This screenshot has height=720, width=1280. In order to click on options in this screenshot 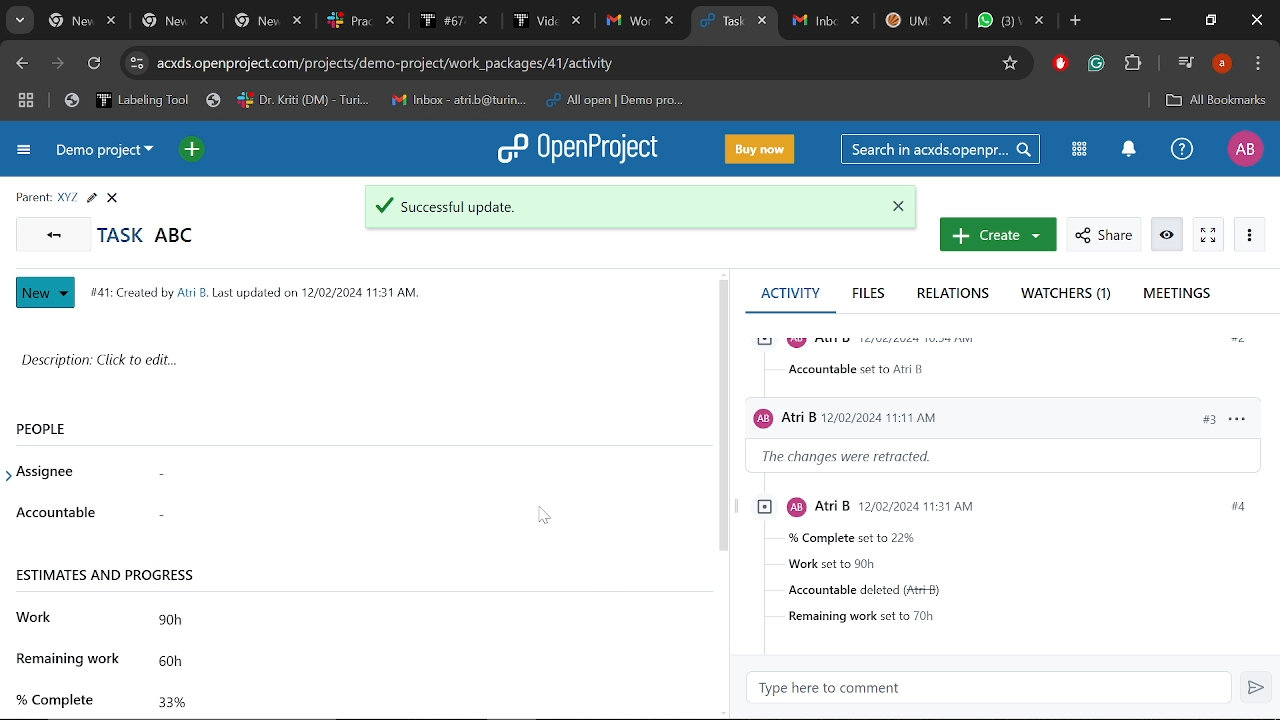, I will do `click(1236, 417)`.